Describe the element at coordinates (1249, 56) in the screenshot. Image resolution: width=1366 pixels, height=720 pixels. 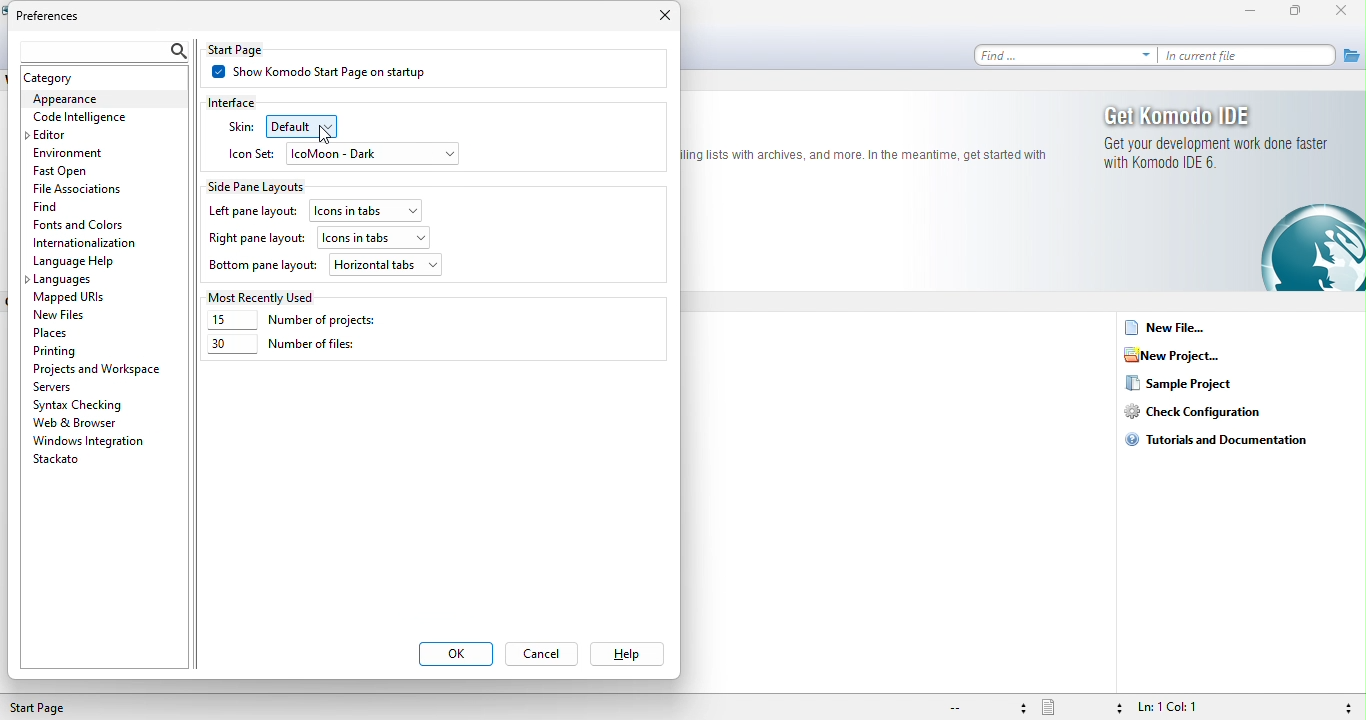
I see `in current file` at that location.